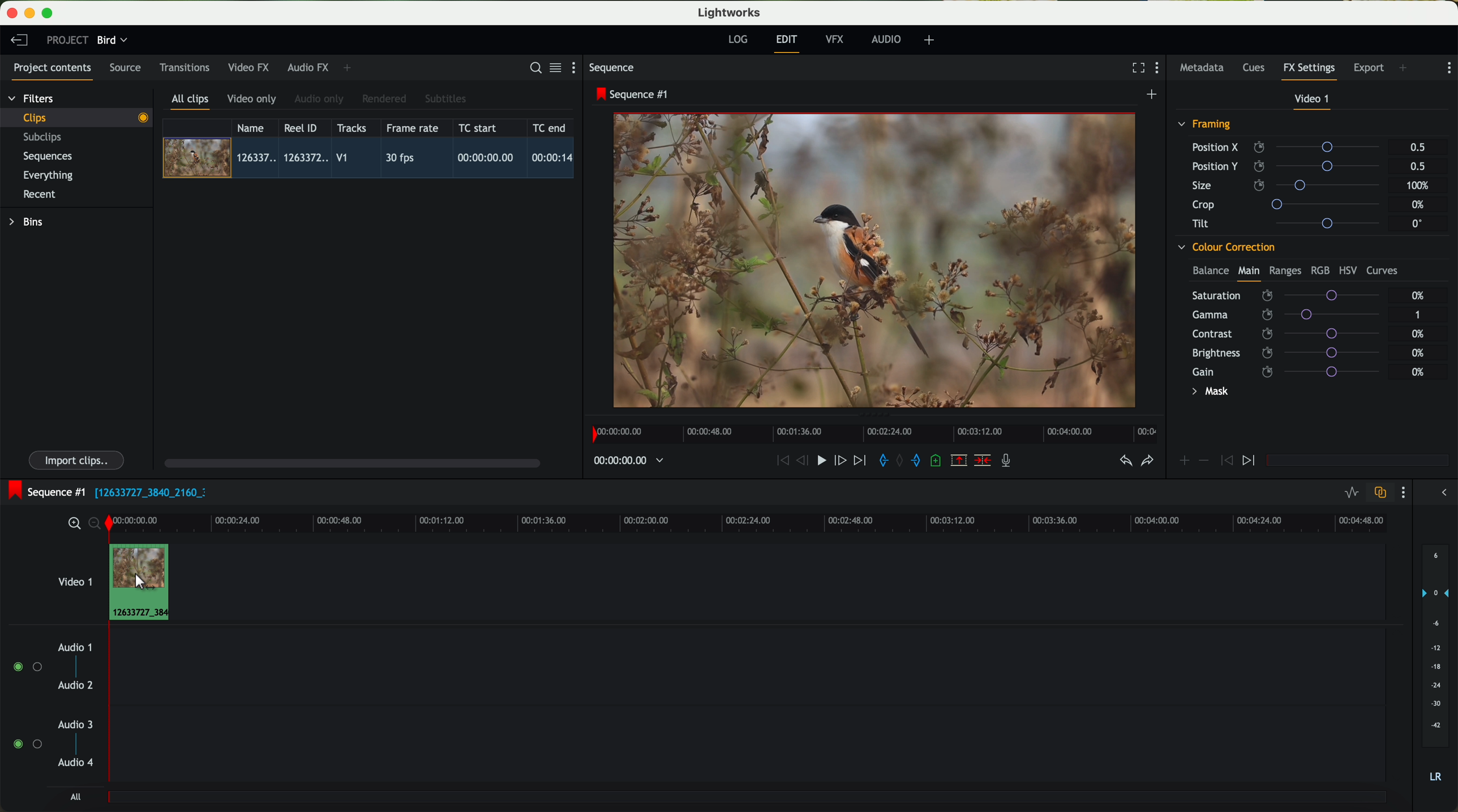  Describe the element at coordinates (12, 13) in the screenshot. I see `close program` at that location.